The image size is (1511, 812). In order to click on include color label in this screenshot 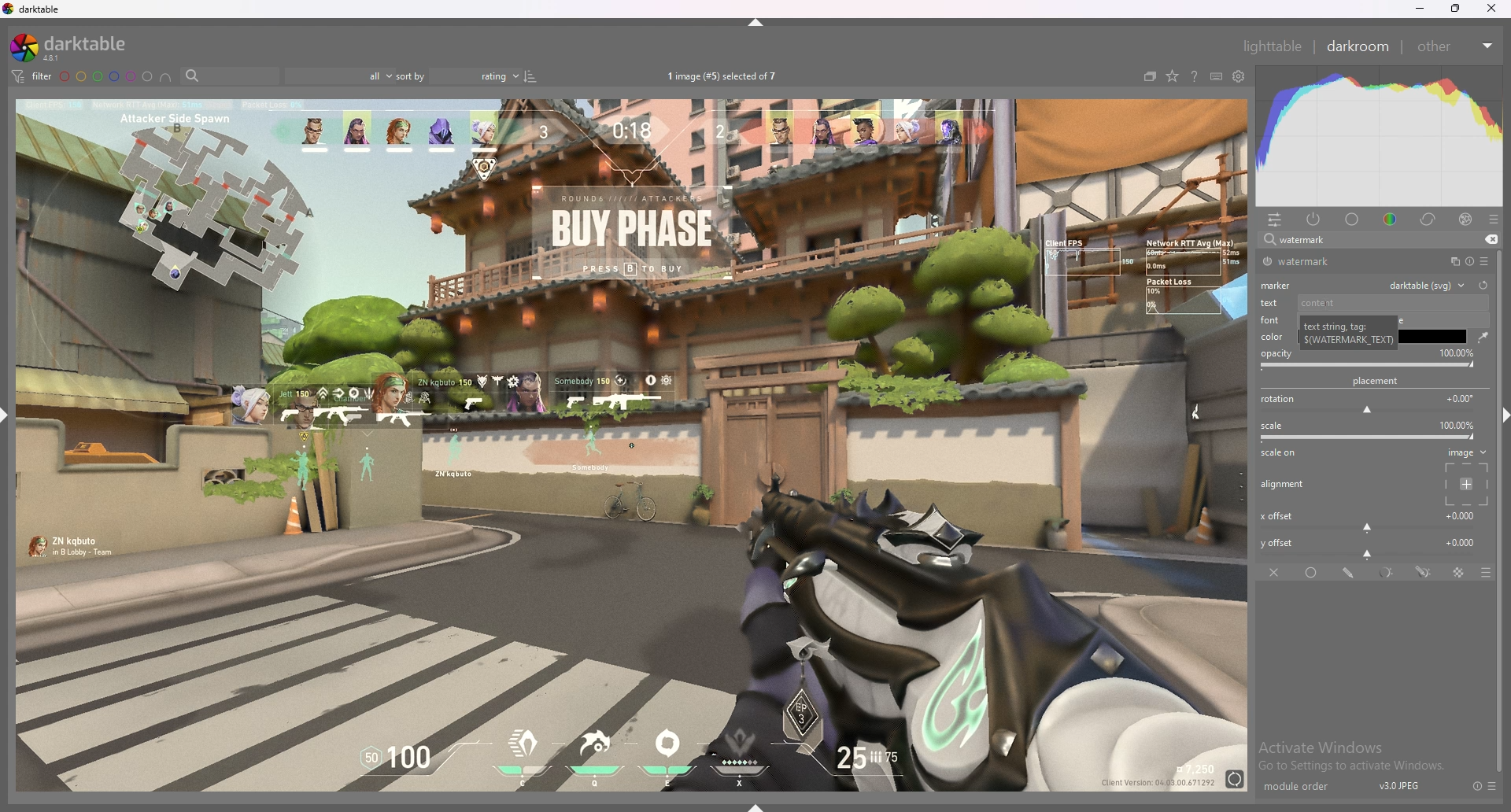, I will do `click(165, 77)`.